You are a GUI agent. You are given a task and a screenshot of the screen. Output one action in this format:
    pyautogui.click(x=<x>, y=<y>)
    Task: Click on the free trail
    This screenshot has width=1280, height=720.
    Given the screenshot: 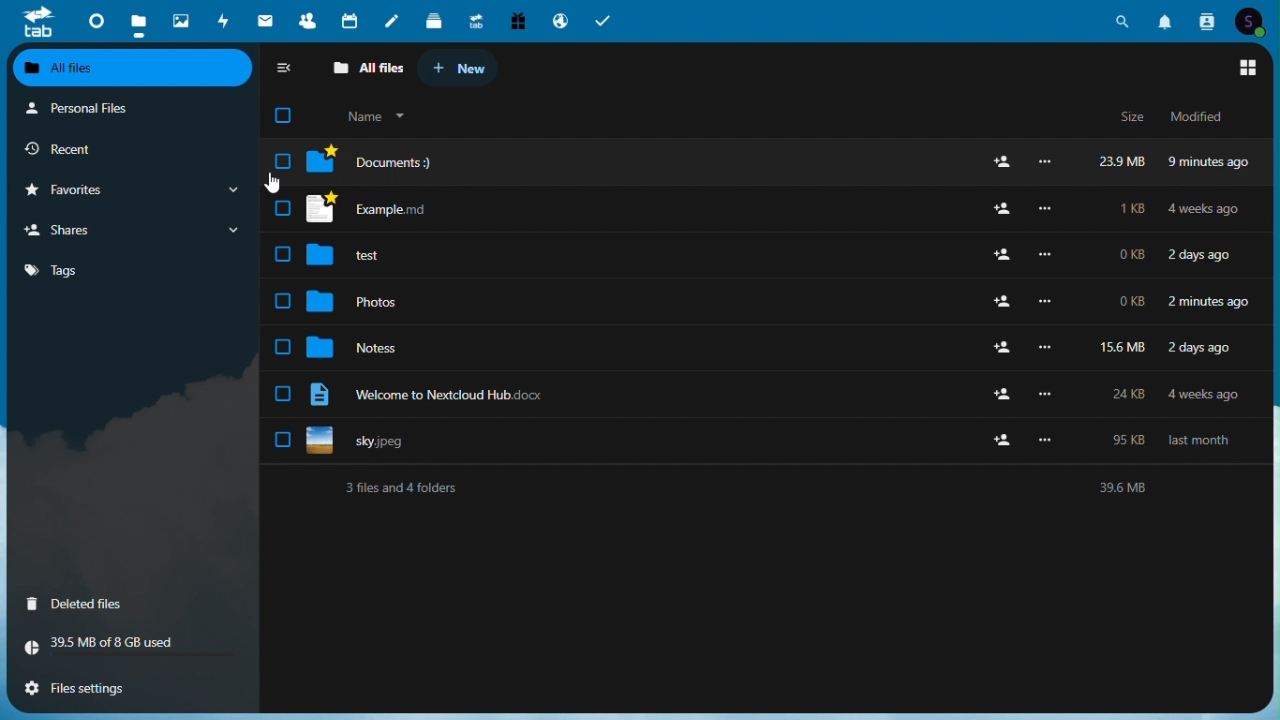 What is the action you would take?
    pyautogui.click(x=517, y=19)
    